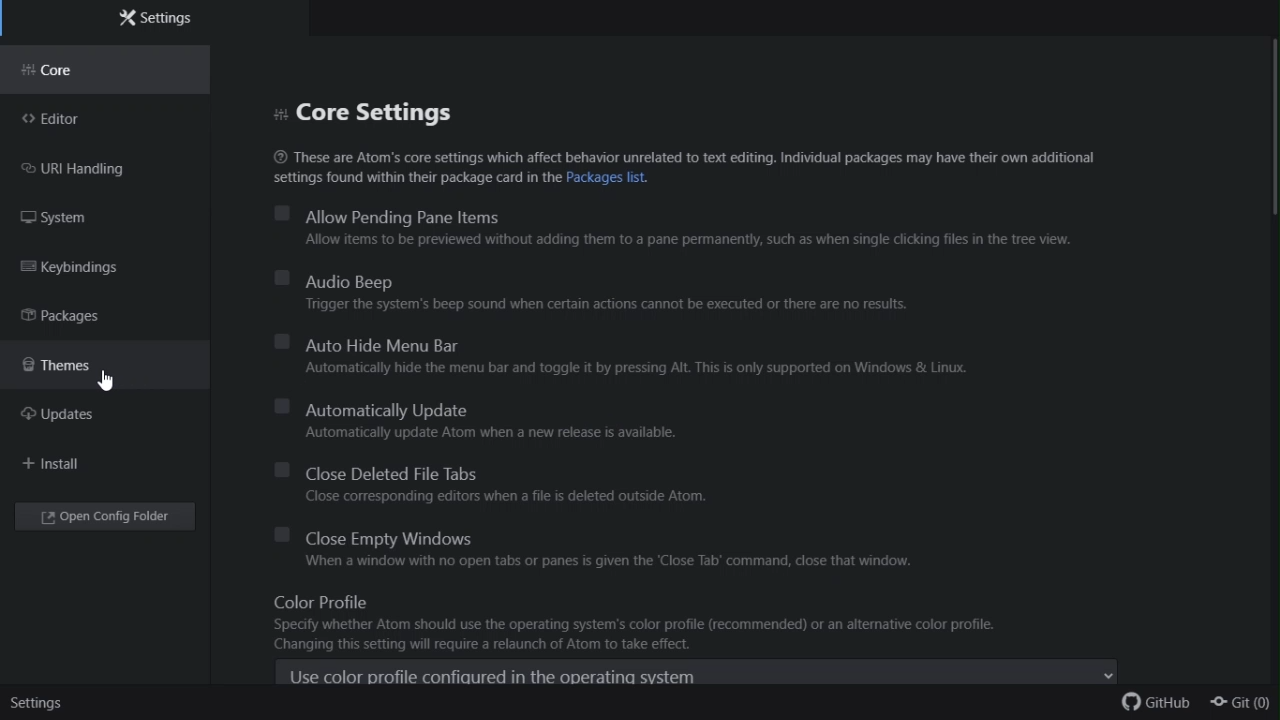  What do you see at coordinates (93, 366) in the screenshot?
I see `themes` at bounding box center [93, 366].